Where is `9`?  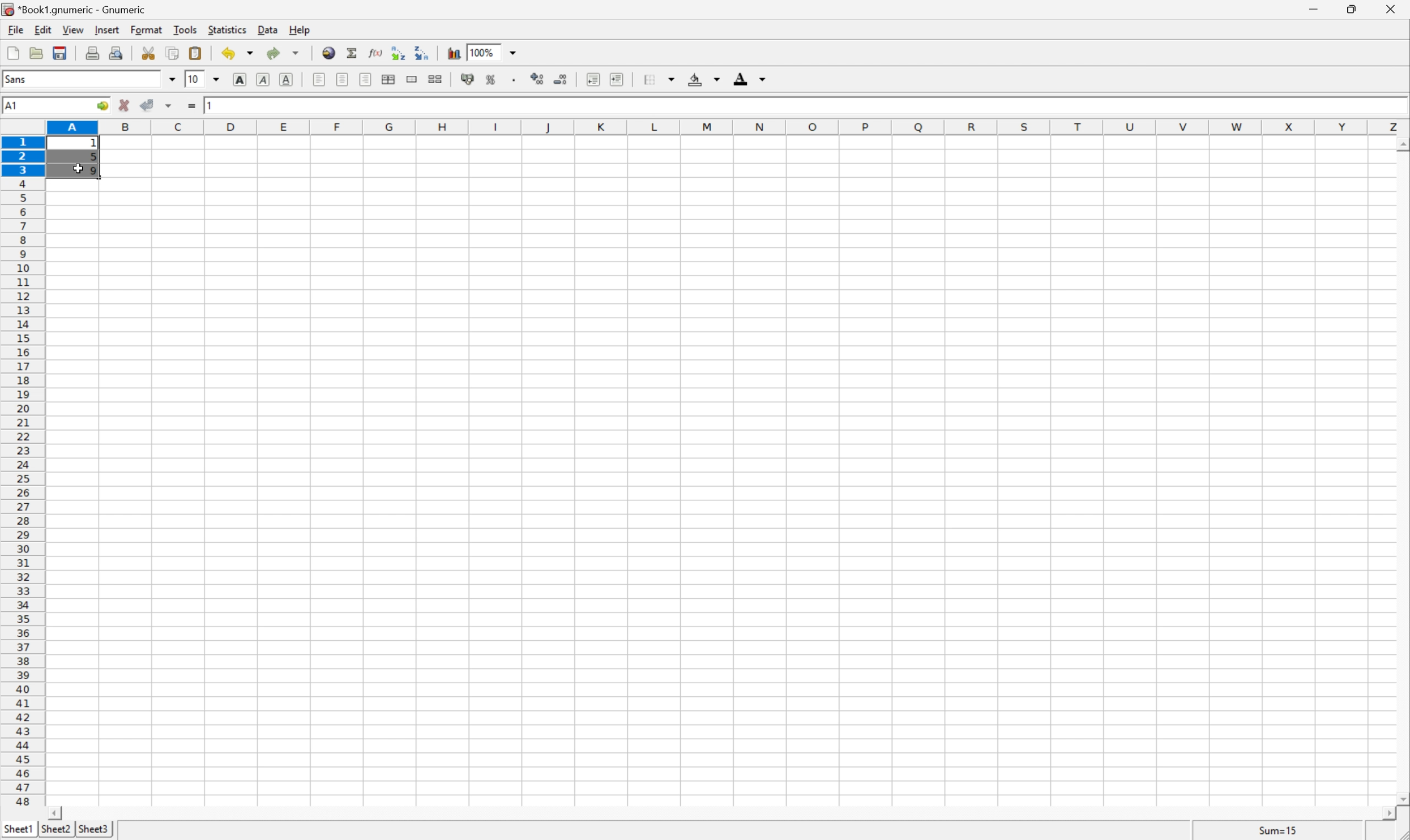
9 is located at coordinates (95, 172).